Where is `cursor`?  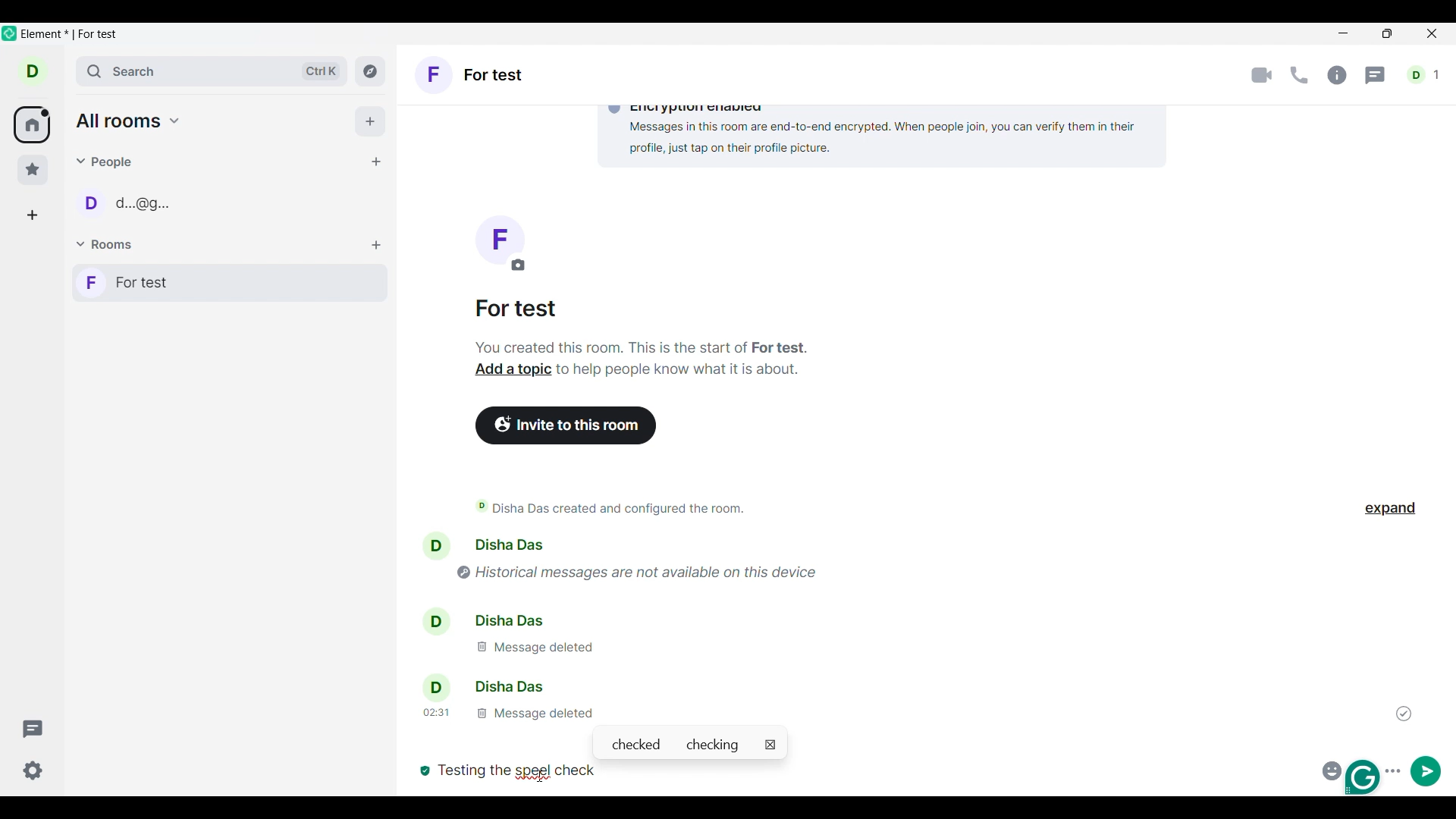 cursor is located at coordinates (544, 767).